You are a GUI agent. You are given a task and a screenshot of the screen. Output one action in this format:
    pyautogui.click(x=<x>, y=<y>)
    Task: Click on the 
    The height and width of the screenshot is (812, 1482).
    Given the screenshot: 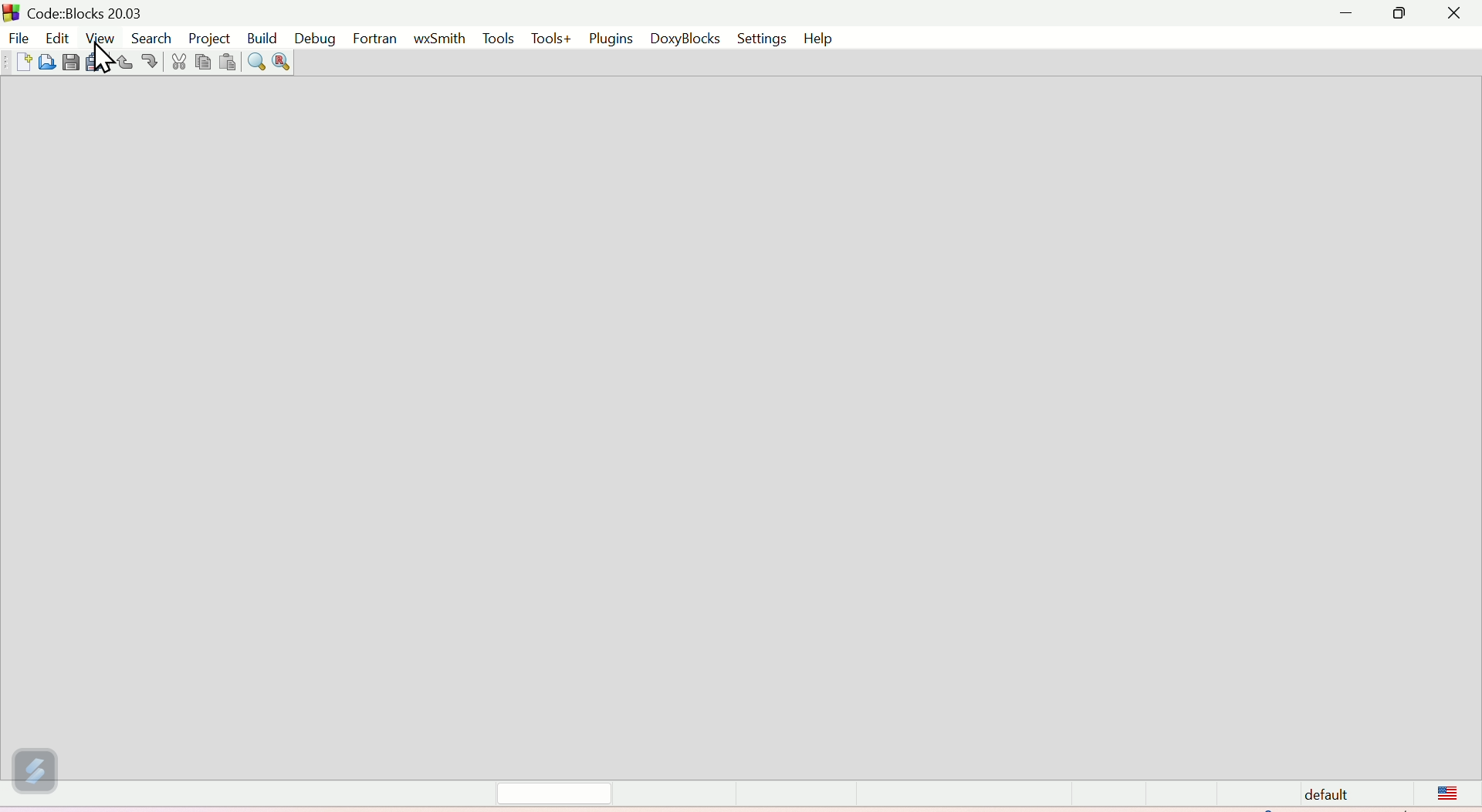 What is the action you would take?
    pyautogui.click(x=57, y=37)
    